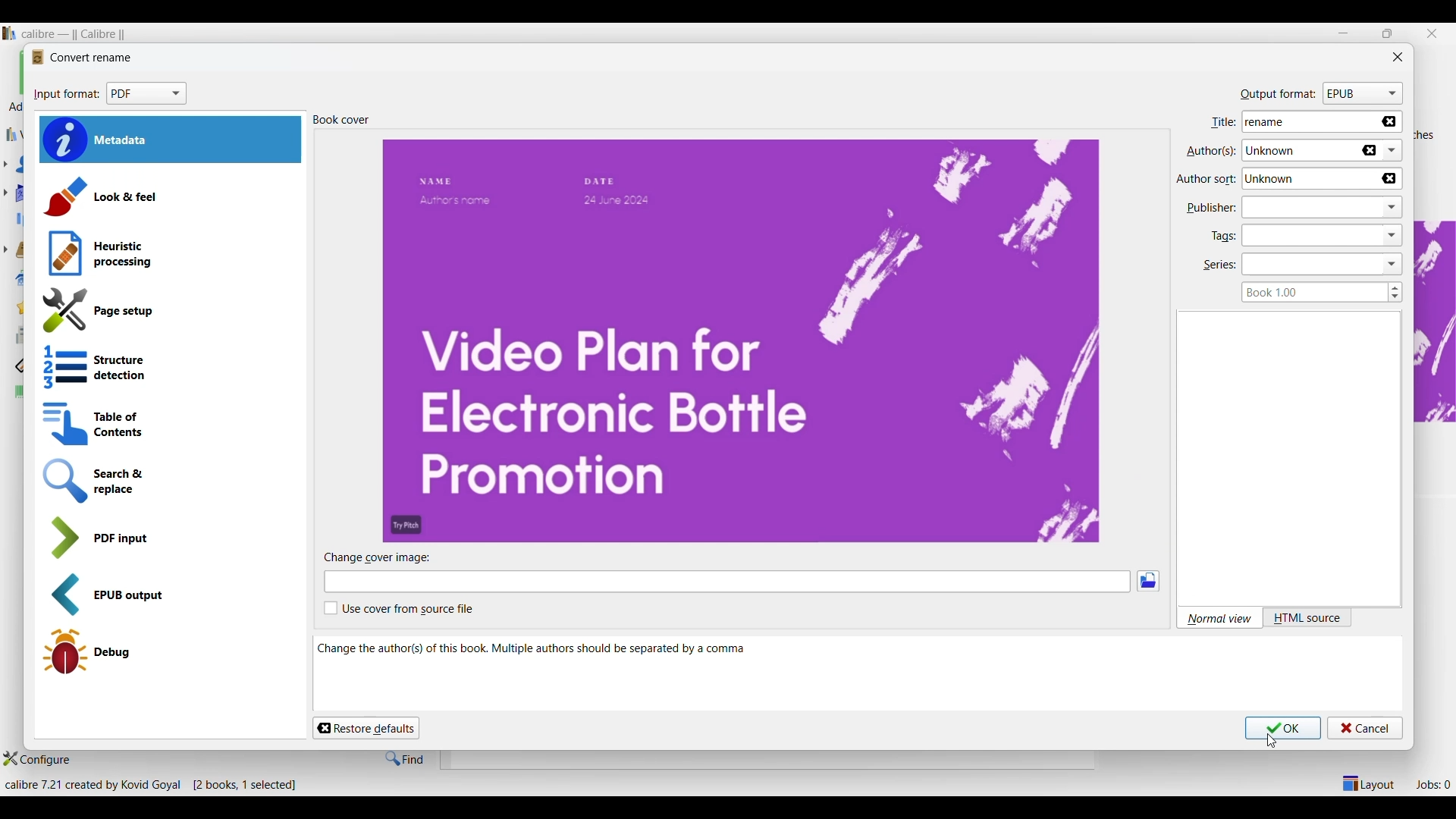  I want to click on Heuristic processing, so click(168, 253).